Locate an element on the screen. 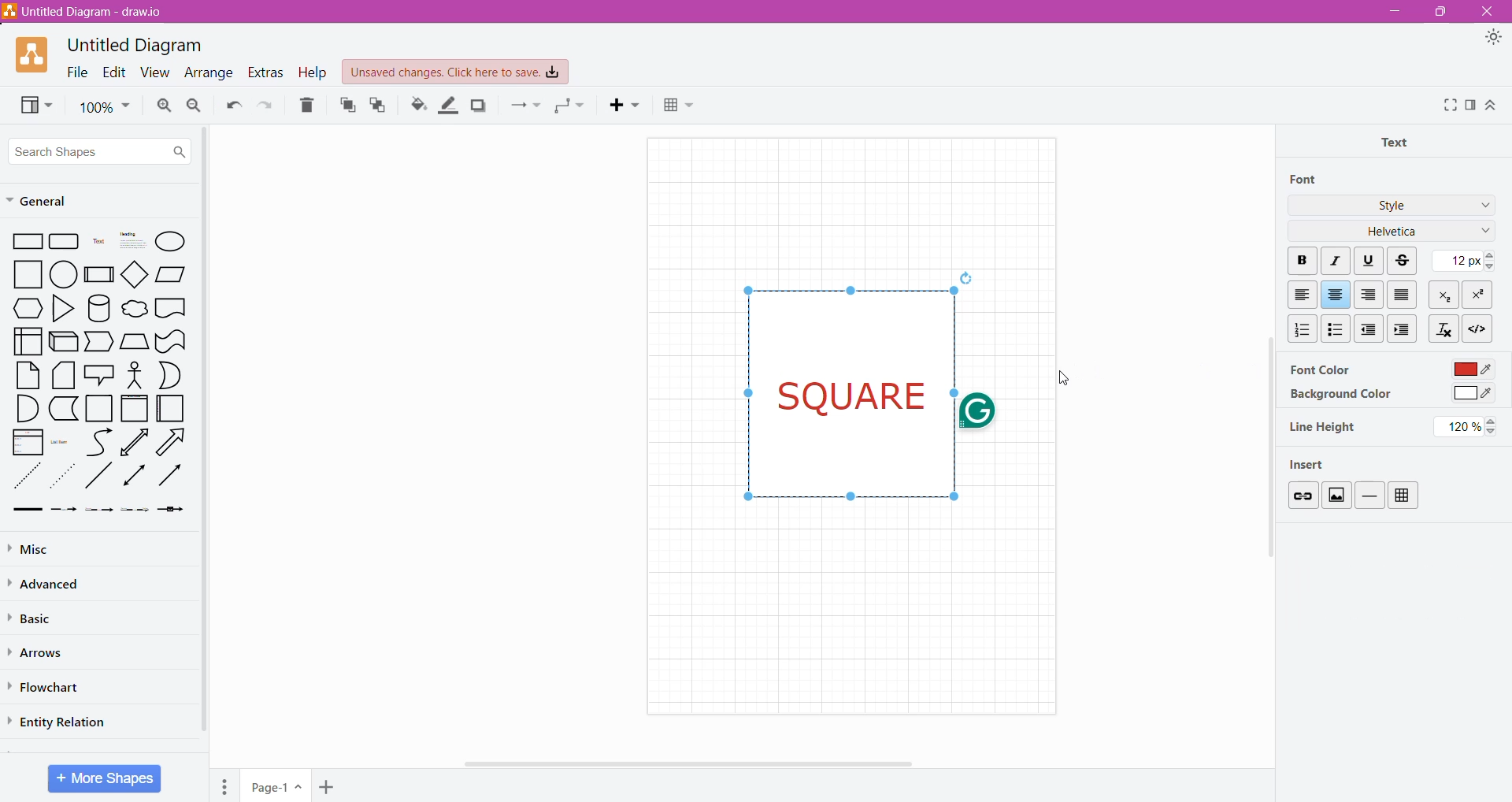  Square  is located at coordinates (98, 408).